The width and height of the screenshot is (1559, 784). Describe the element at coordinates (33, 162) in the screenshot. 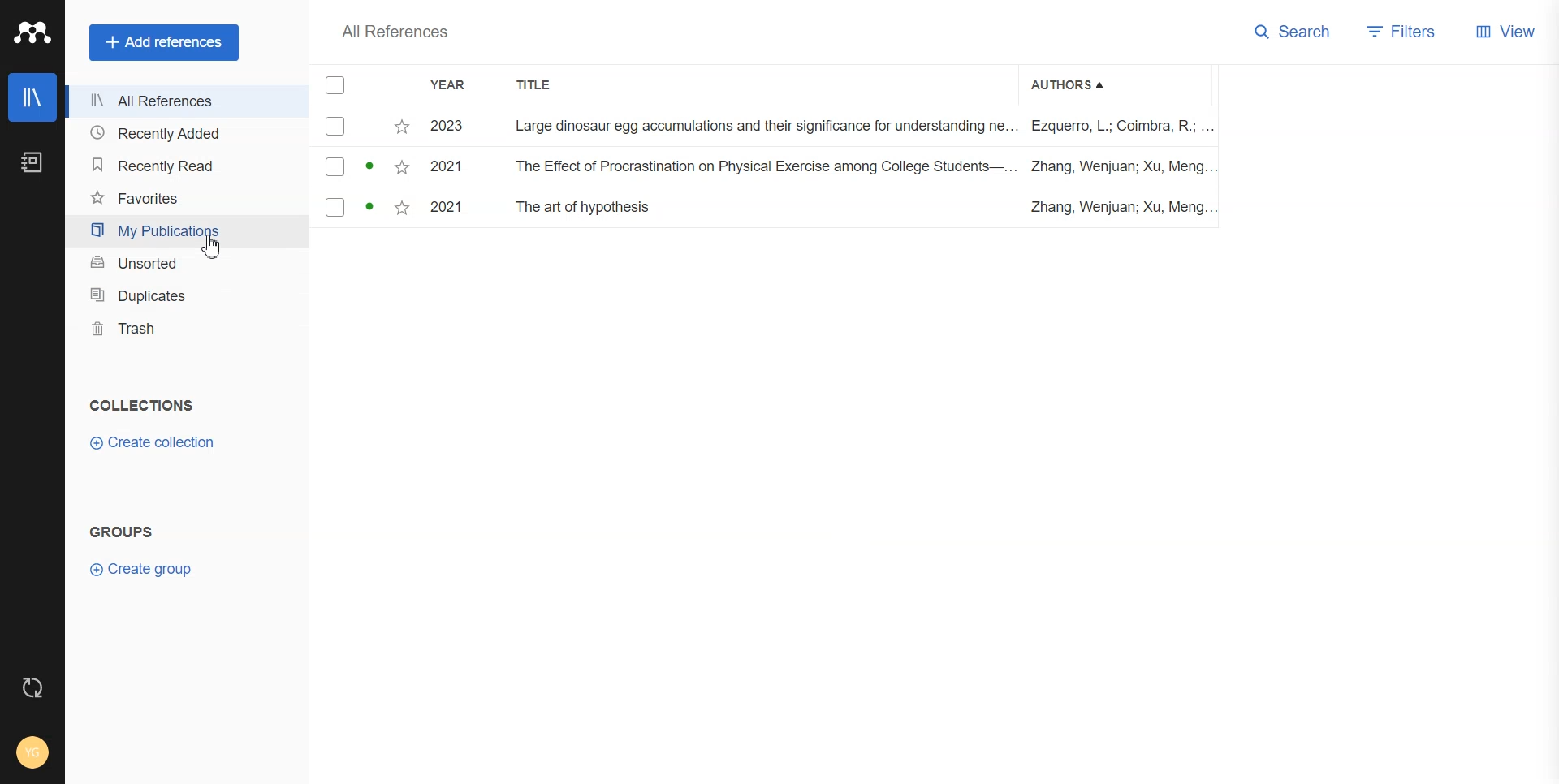

I see `Notebook` at that location.